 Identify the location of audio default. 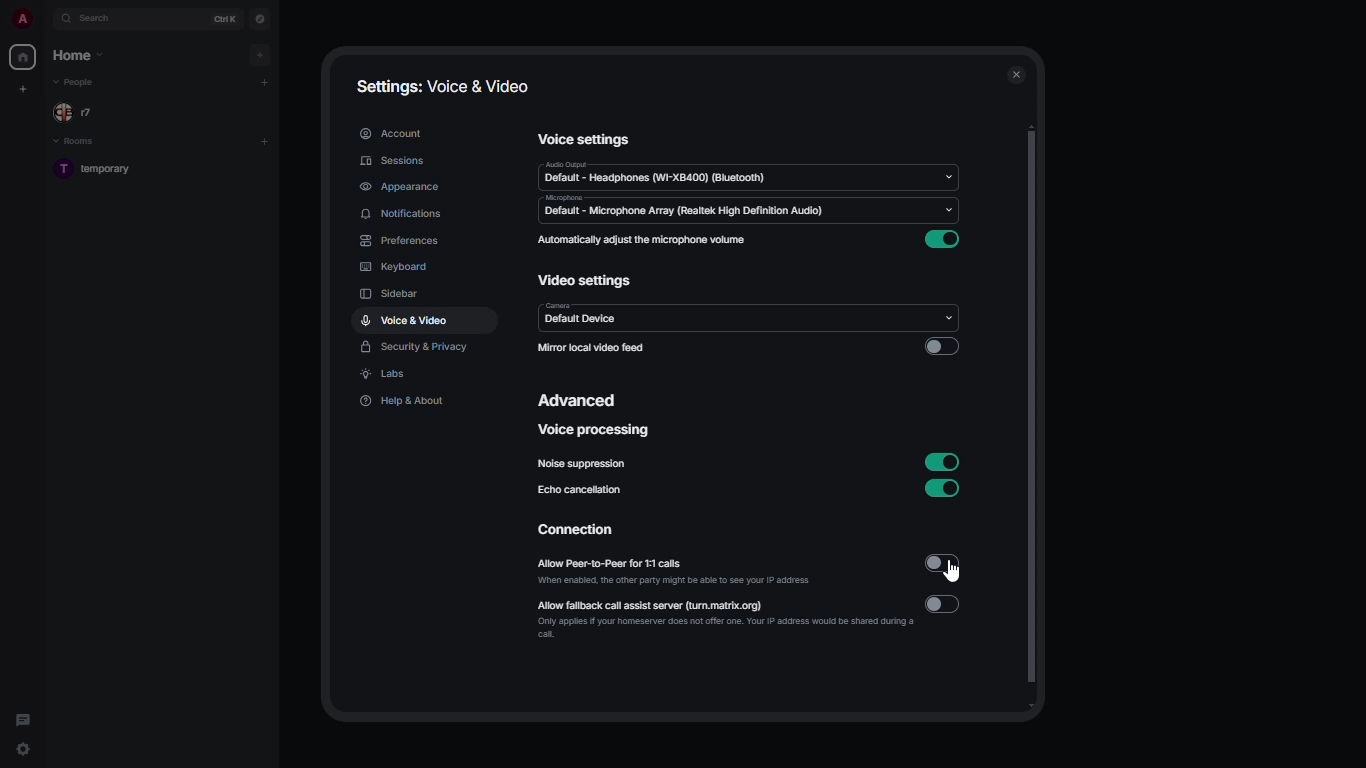
(657, 174).